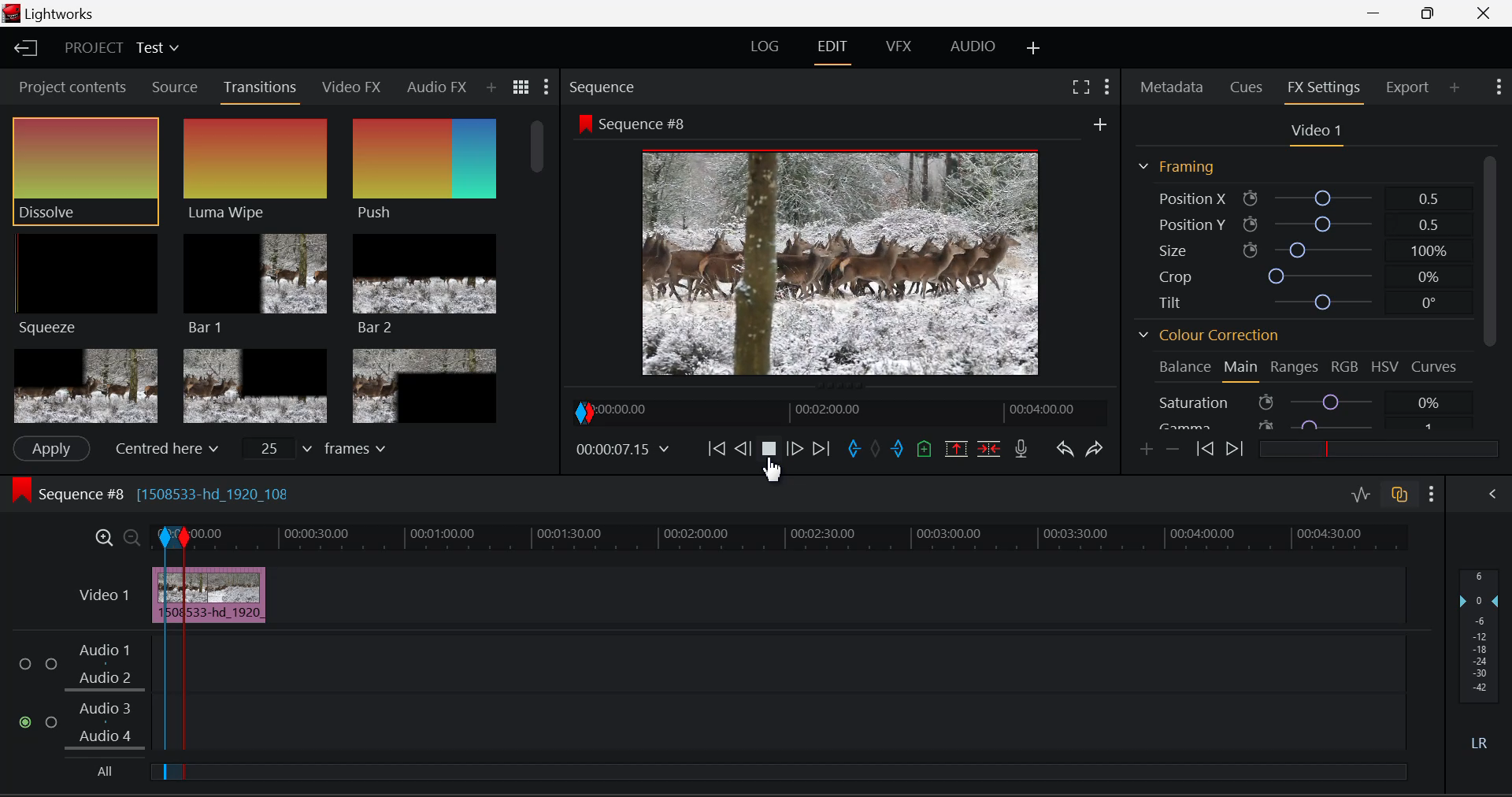  I want to click on Audio 2, so click(106, 679).